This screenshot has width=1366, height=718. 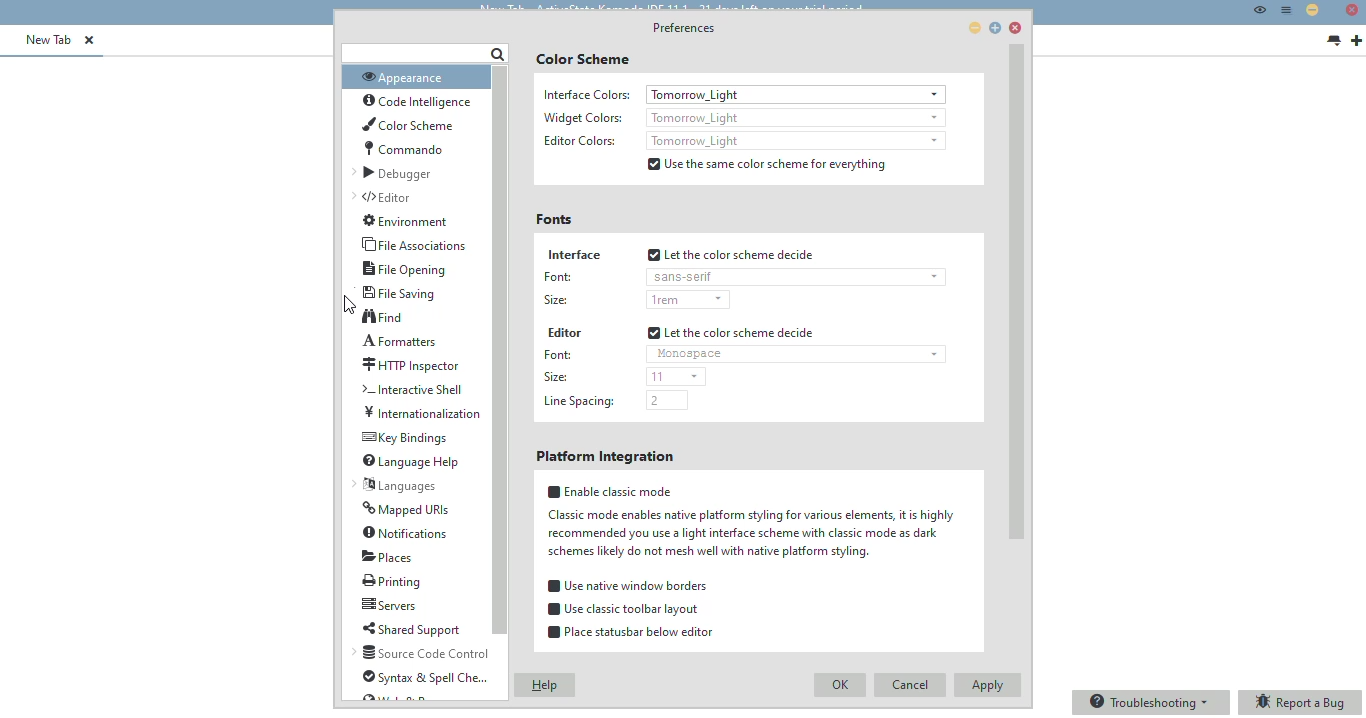 What do you see at coordinates (389, 604) in the screenshot?
I see `servers` at bounding box center [389, 604].